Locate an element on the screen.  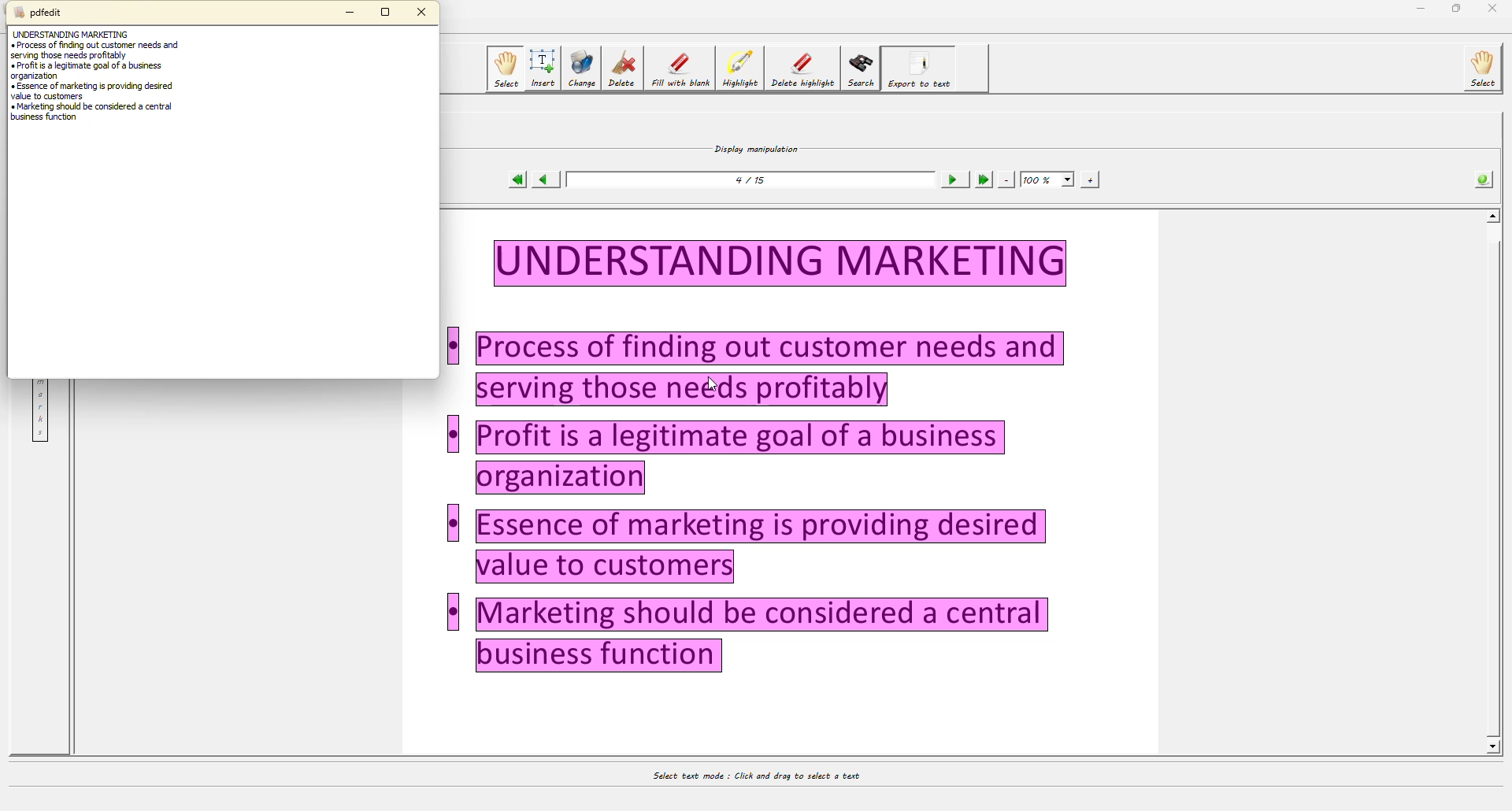
 is located at coordinates (452, 434).